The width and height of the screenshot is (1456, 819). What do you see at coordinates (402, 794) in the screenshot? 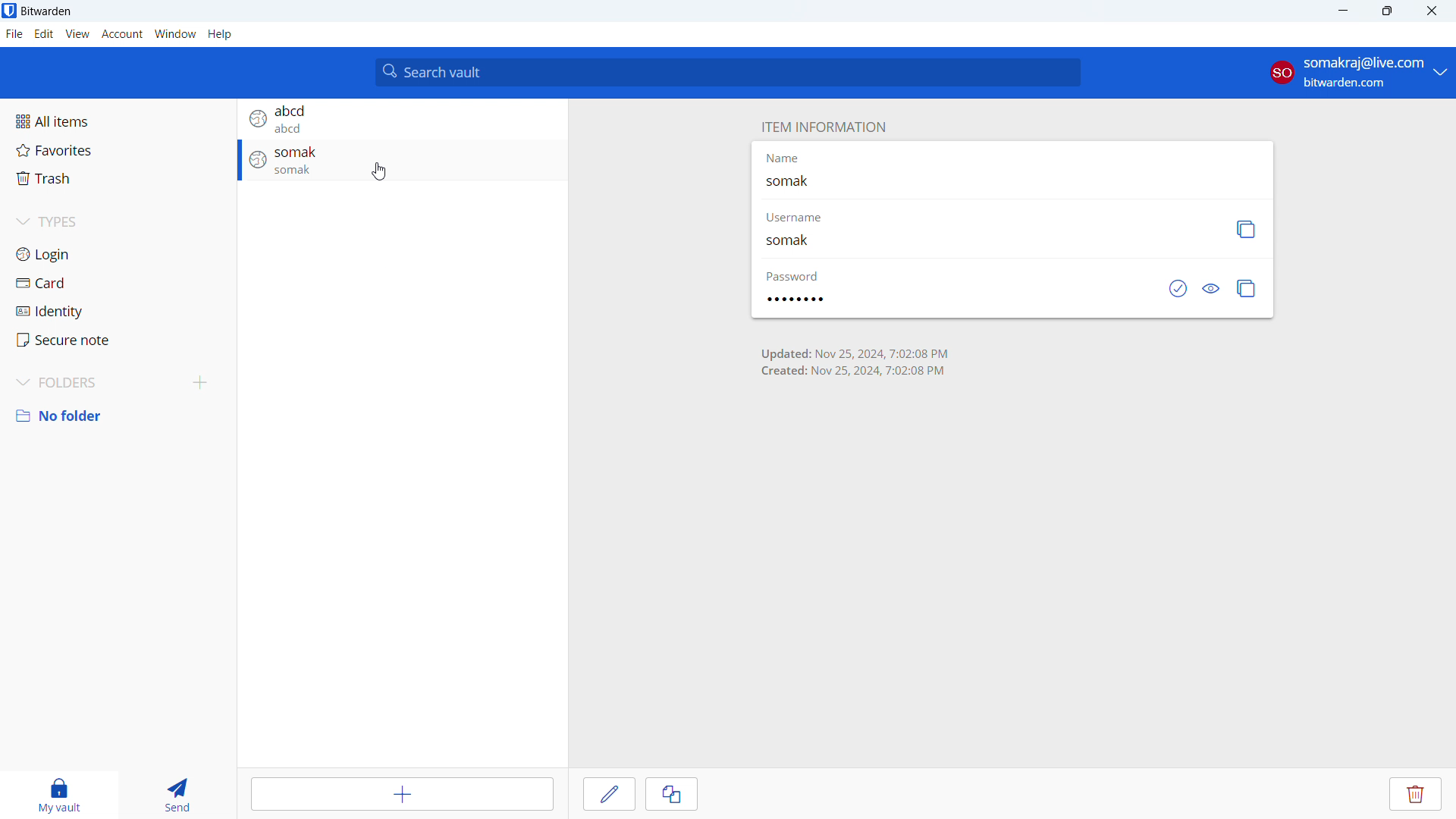
I see `add item` at bounding box center [402, 794].